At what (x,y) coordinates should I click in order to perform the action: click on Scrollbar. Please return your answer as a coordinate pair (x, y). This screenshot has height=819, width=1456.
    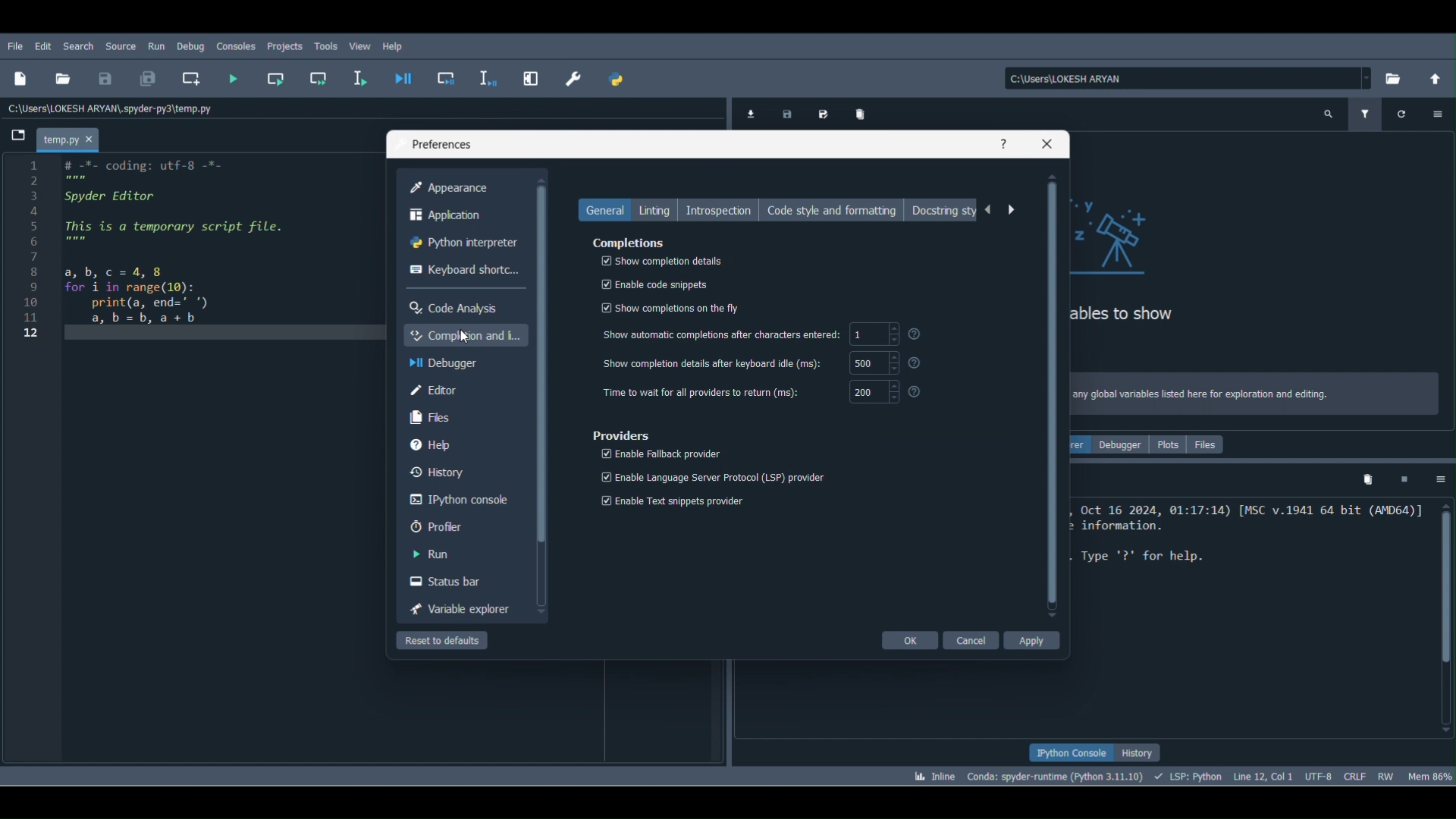
    Looking at the image, I should click on (1052, 394).